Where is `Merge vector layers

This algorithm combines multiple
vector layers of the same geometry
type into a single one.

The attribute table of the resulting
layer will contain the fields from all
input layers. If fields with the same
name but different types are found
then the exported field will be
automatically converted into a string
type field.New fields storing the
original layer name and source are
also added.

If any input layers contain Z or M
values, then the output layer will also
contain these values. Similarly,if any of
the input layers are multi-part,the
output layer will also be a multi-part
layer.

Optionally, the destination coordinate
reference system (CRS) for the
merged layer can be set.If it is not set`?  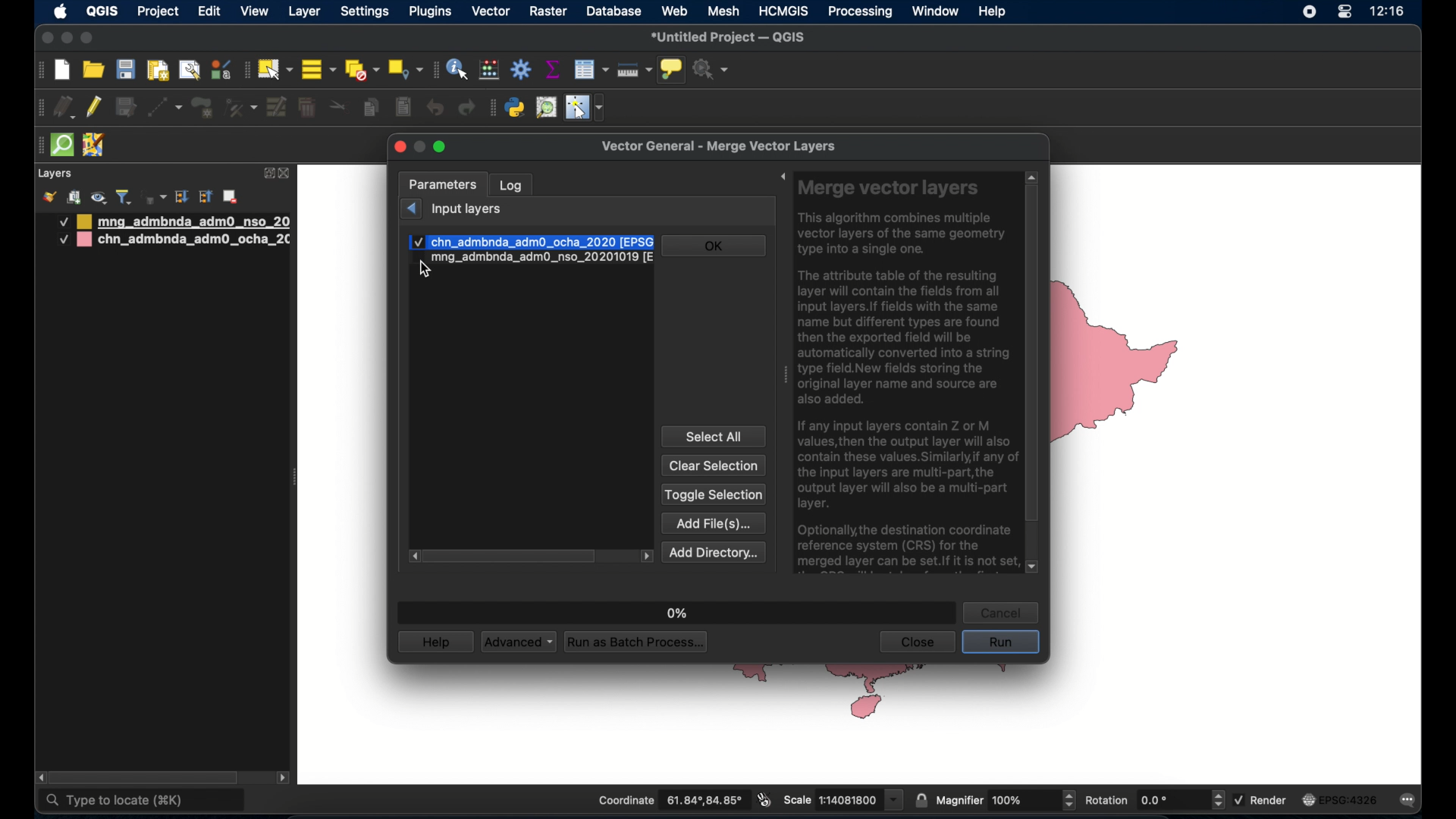 Merge vector layers

This algorithm combines multiple
vector layers of the same geometry
type into a single one.

The attribute table of the resulting
layer will contain the fields from all
input layers. If fields with the same
name but different types are found
then the exported field will be
automatically converted into a string
type field.New fields storing the
original layer name and source are
also added.

If any input layers contain Z or M
values, then the output layer will also
contain these values. Similarly,if any of
the input layers are multi-part,the
output layer will also be a multi-part
layer.

Optionally, the destination coordinate
reference system (CRS) for the
merged layer can be set.If it is not set is located at coordinates (905, 375).